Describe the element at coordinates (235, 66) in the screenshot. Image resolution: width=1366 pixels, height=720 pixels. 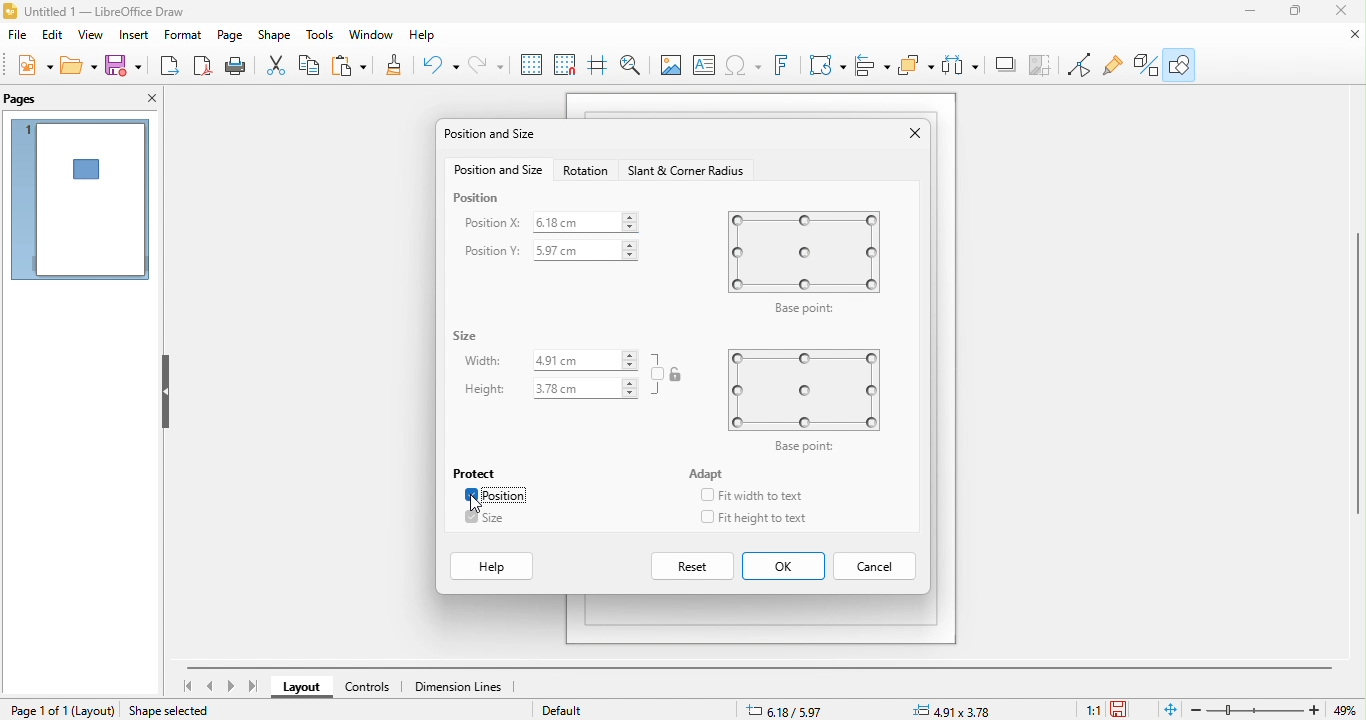
I see `print` at that location.